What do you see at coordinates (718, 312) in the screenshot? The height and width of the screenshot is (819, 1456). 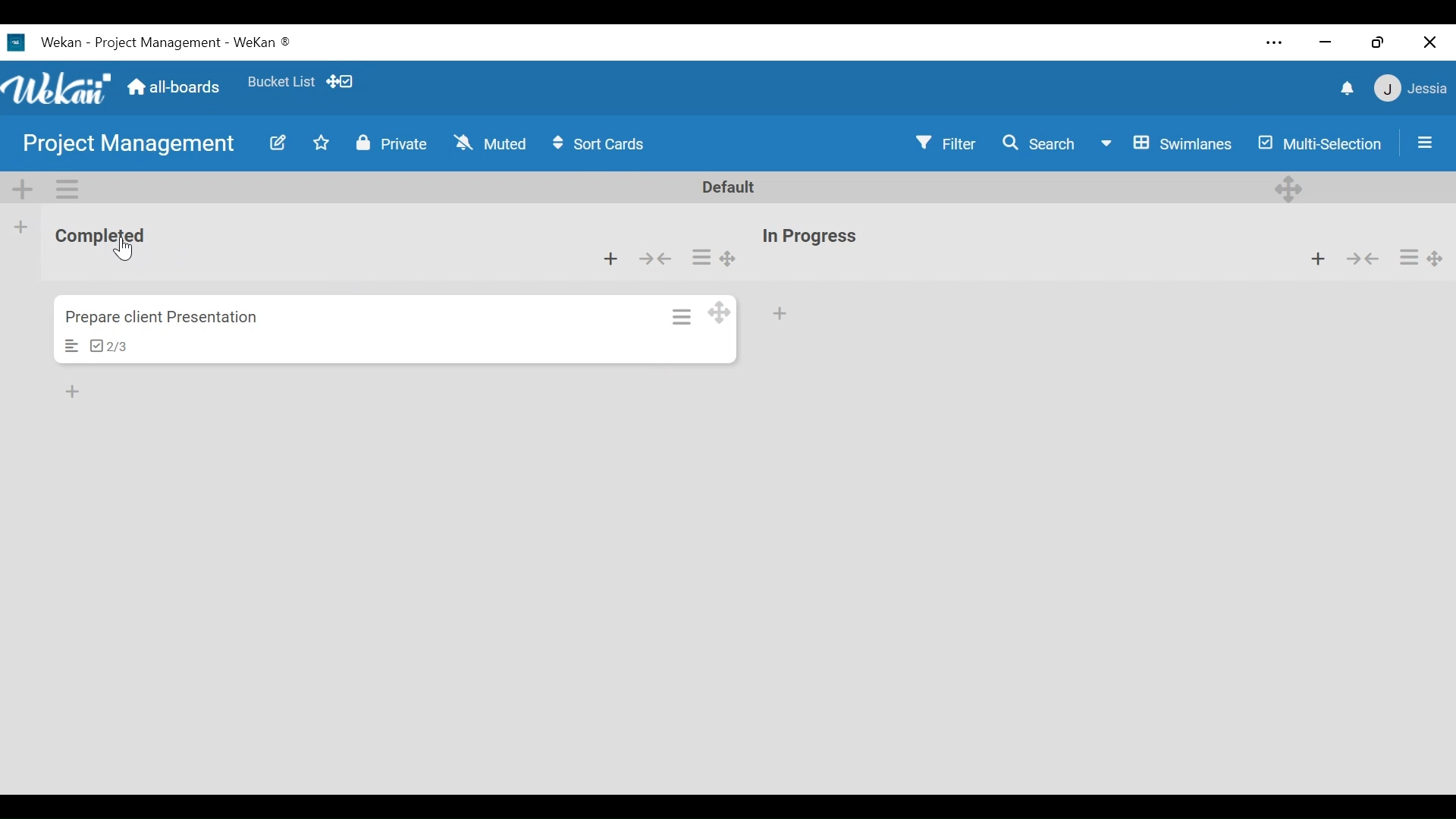 I see `Desktop drag handles` at bounding box center [718, 312].